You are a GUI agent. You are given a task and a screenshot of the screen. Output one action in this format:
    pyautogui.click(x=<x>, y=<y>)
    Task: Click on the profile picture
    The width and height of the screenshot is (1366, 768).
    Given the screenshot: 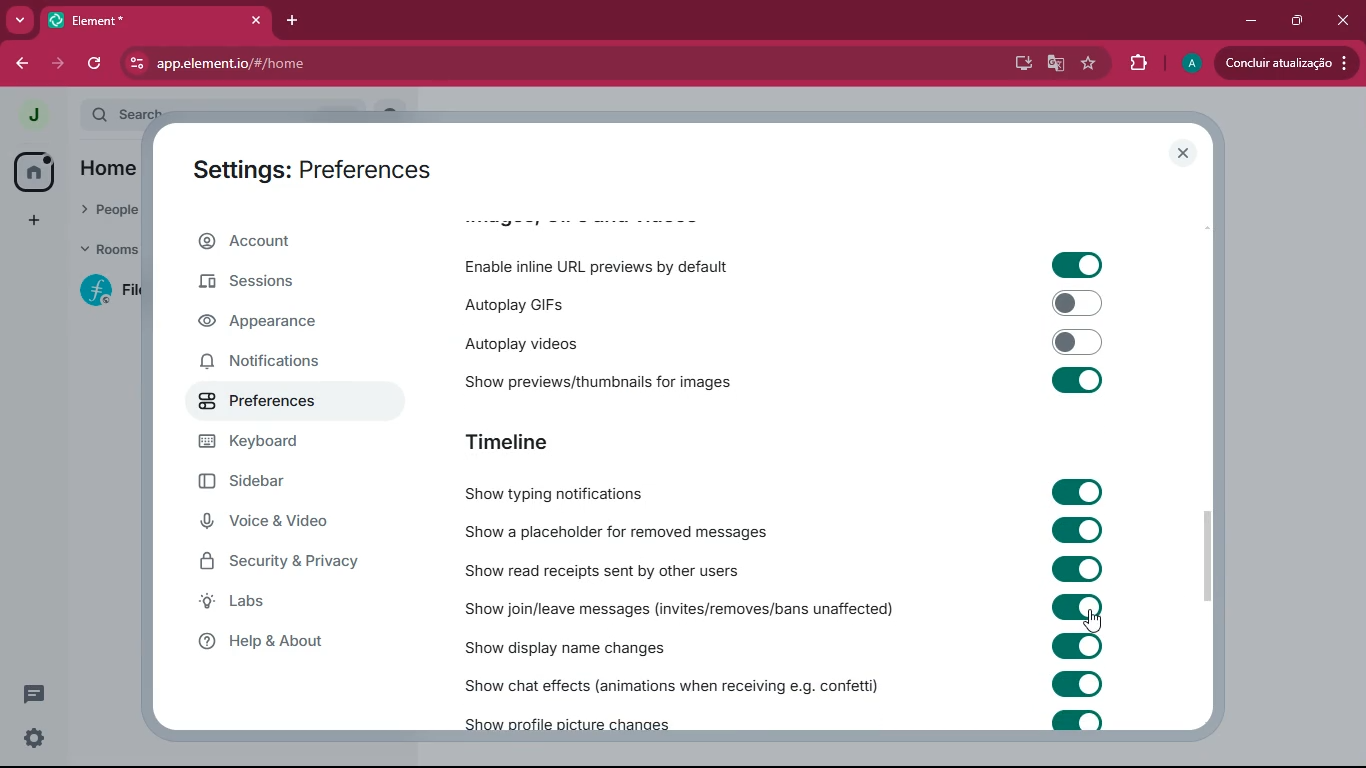 What is the action you would take?
    pyautogui.click(x=1195, y=61)
    